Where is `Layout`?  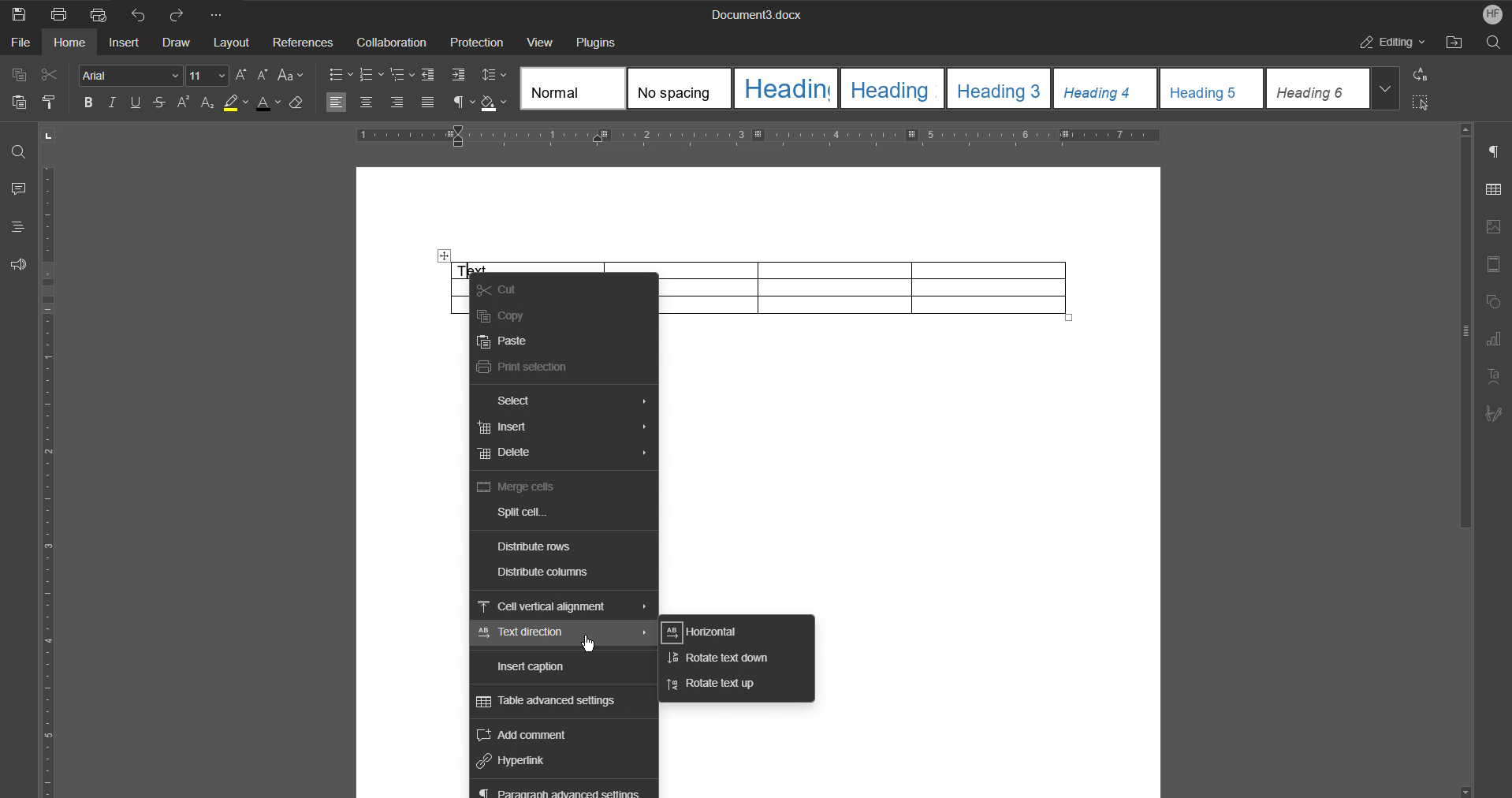
Layout is located at coordinates (233, 42).